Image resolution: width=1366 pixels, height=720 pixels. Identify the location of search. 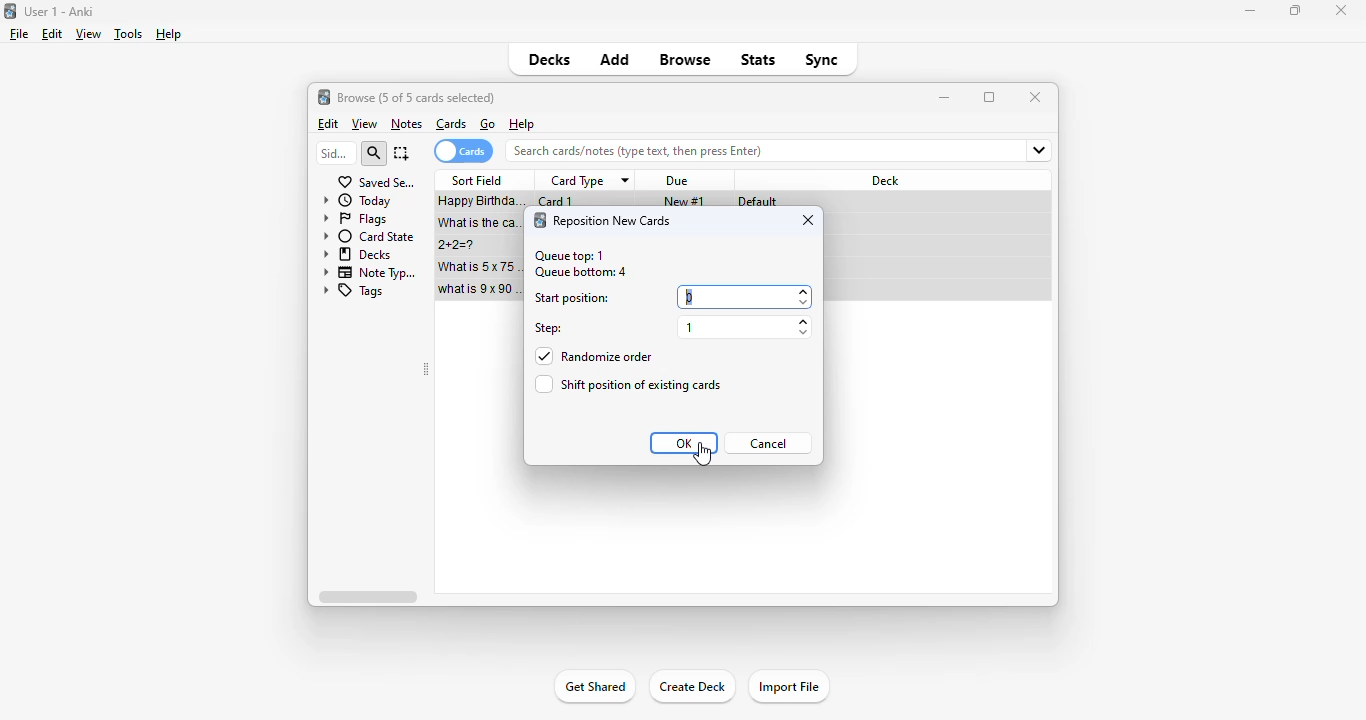
(373, 154).